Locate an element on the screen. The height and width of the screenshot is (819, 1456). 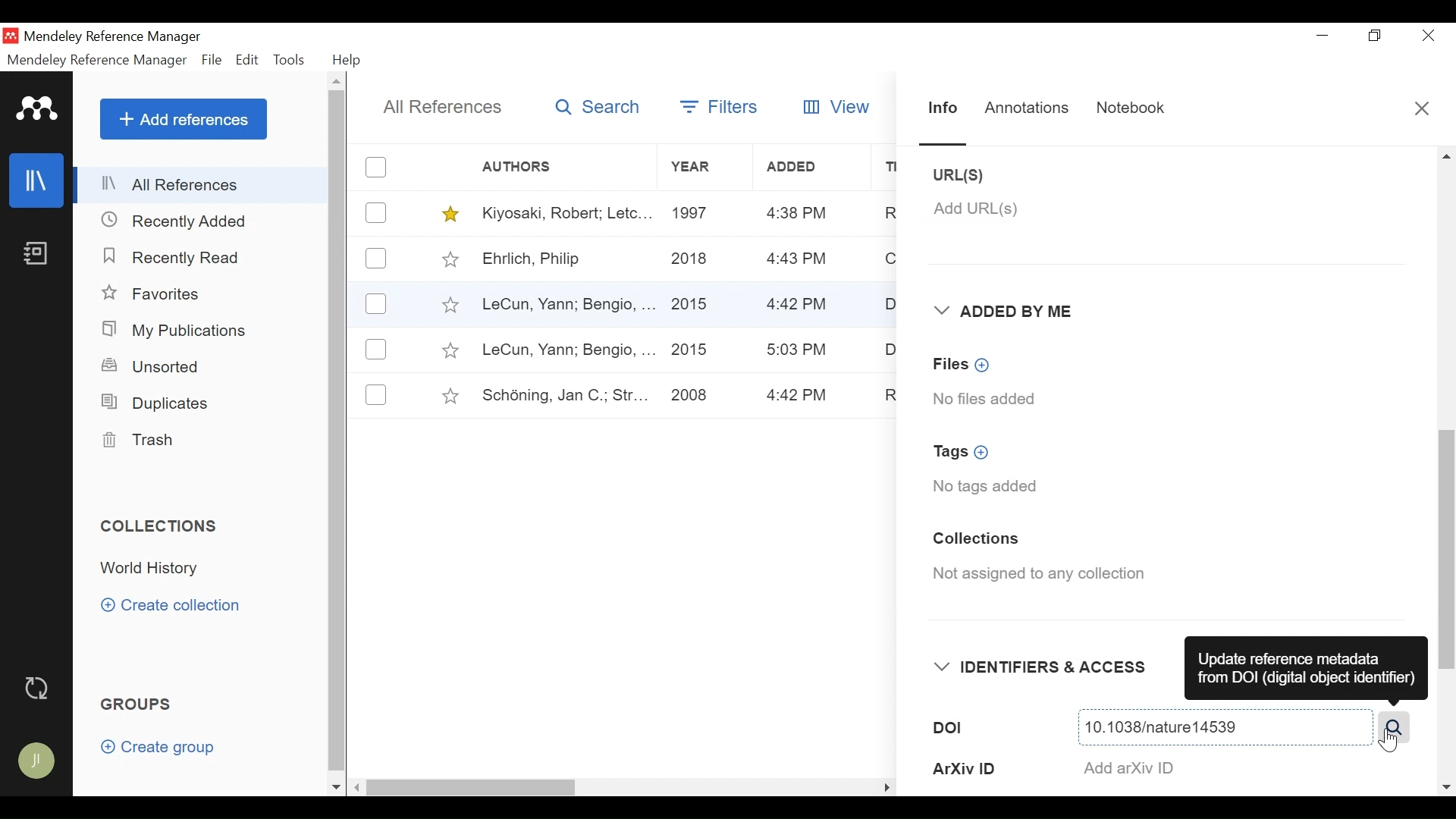
Notebook is located at coordinates (35, 255).